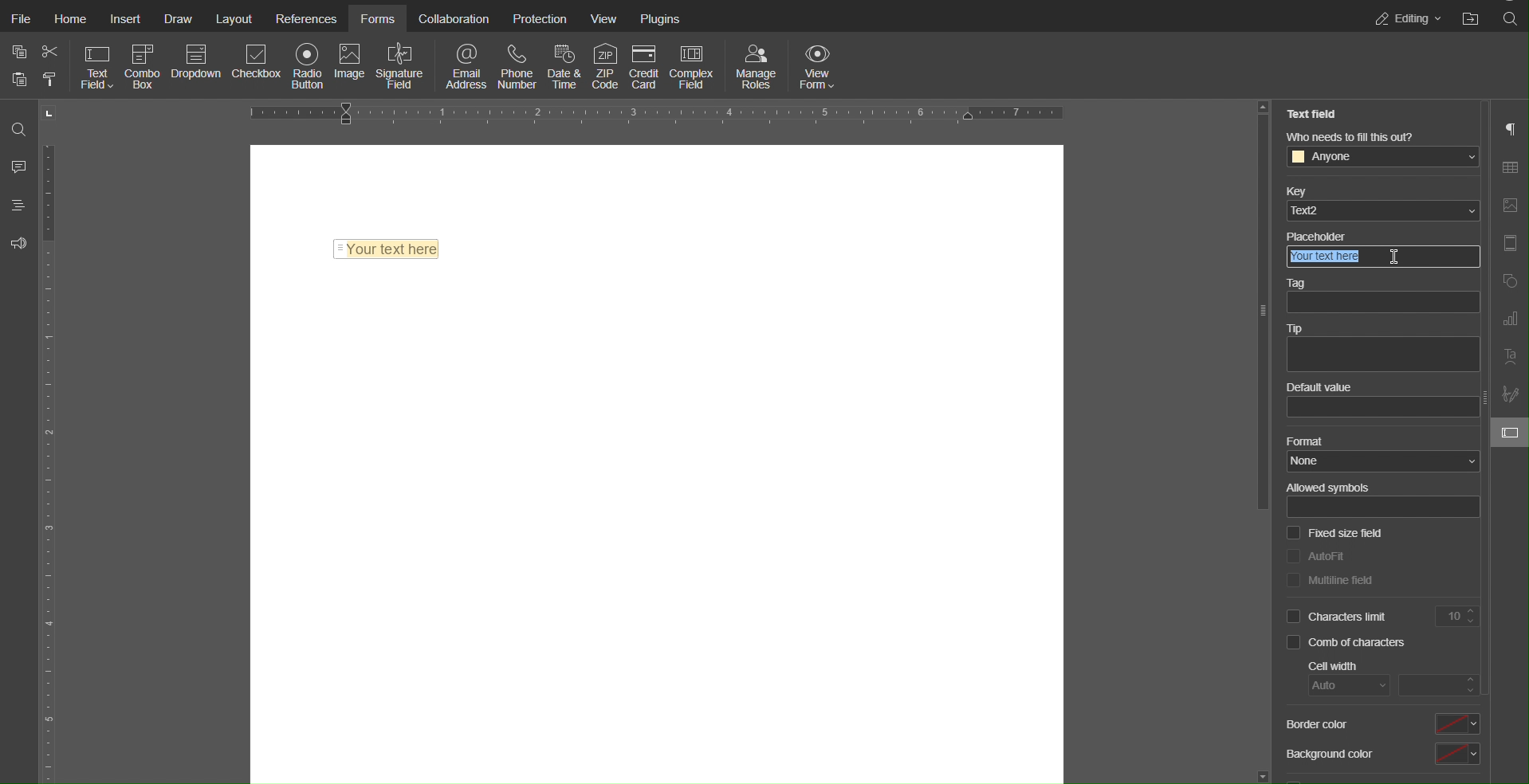 The width and height of the screenshot is (1529, 784). What do you see at coordinates (660, 19) in the screenshot?
I see `Plugins` at bounding box center [660, 19].